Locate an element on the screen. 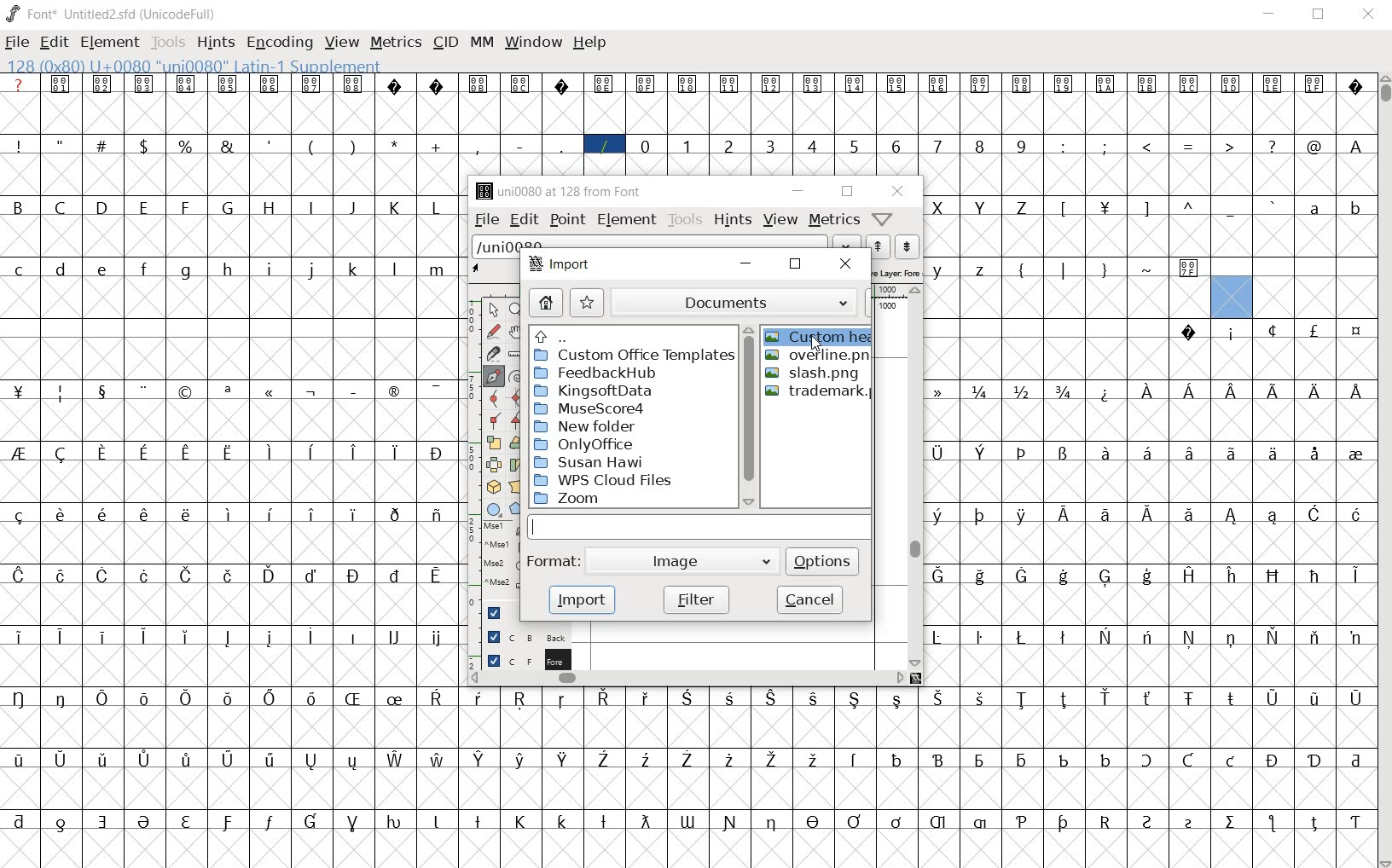  glyph is located at coordinates (561, 700).